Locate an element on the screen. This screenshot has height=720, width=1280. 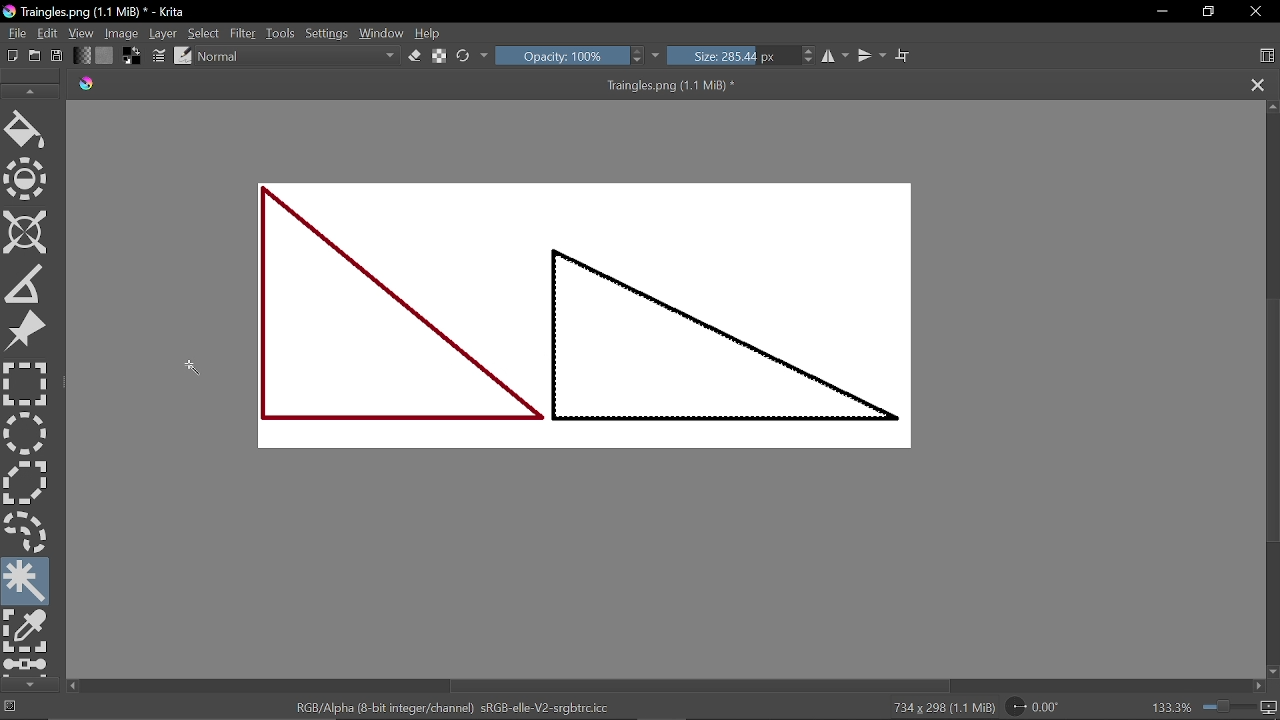
Eraser tool is located at coordinates (416, 55).